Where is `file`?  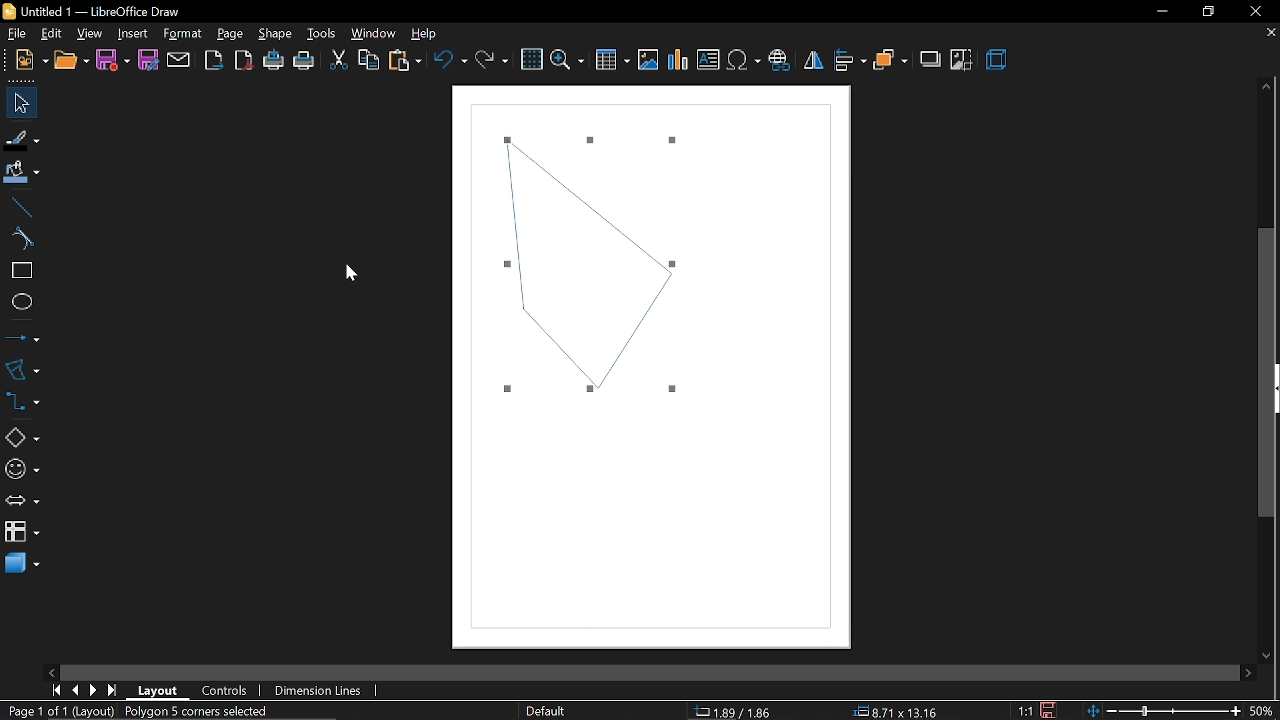 file is located at coordinates (17, 34).